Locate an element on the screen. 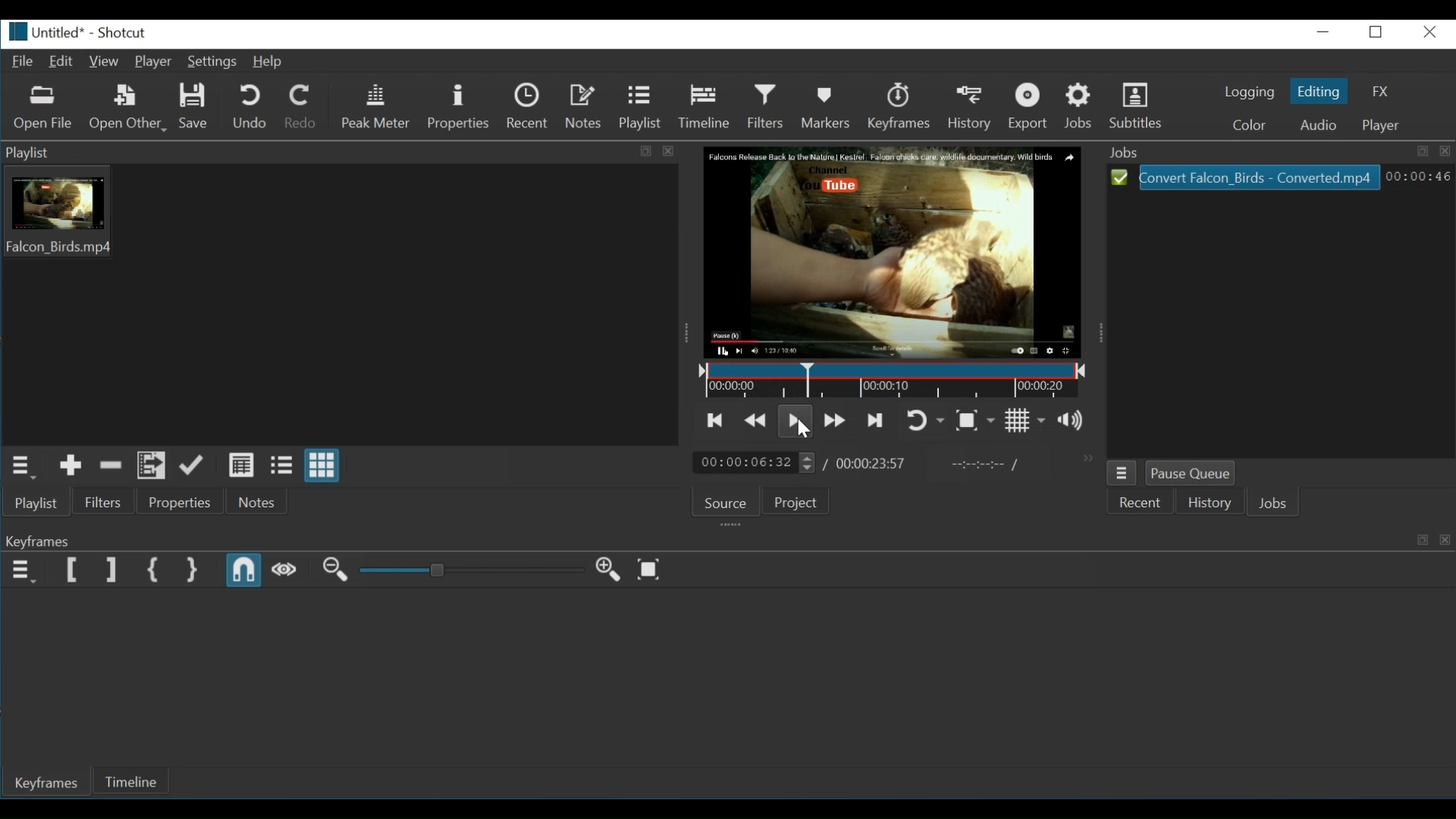  Jobs menu is located at coordinates (1122, 473).